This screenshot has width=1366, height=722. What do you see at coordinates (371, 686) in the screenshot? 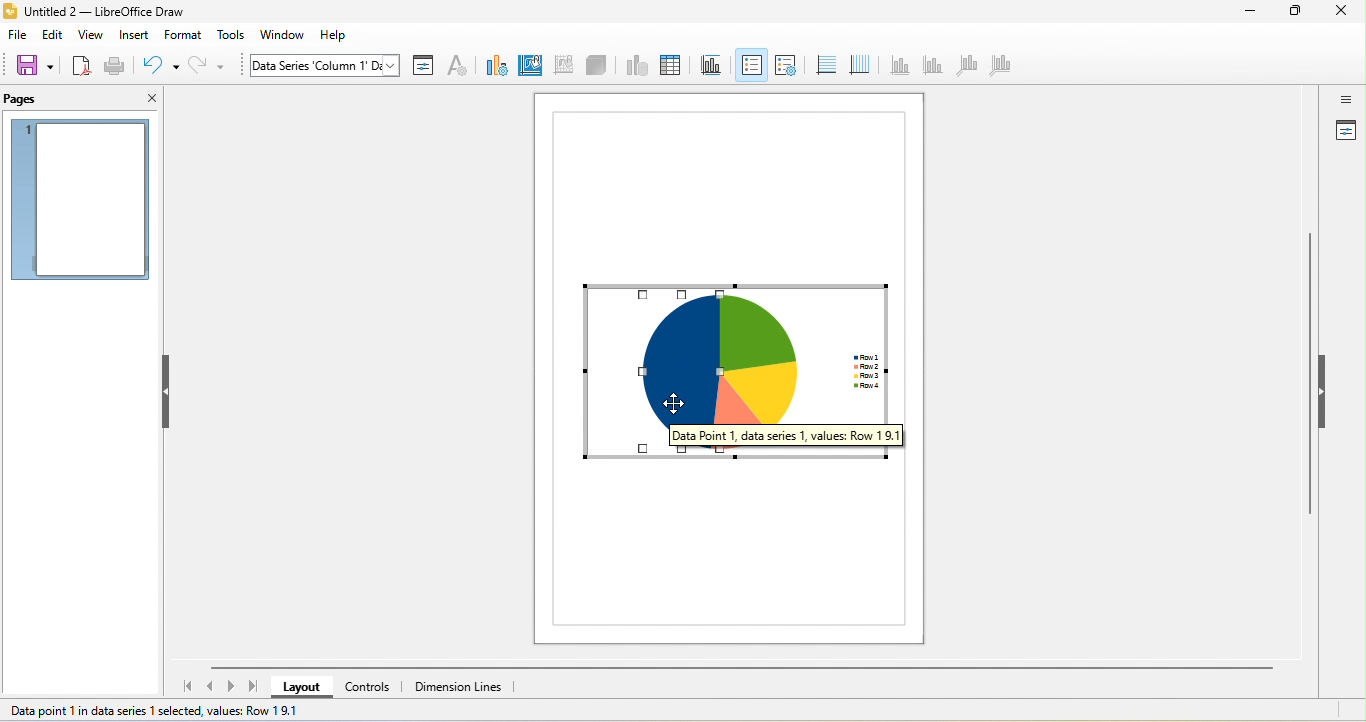
I see `controls` at bounding box center [371, 686].